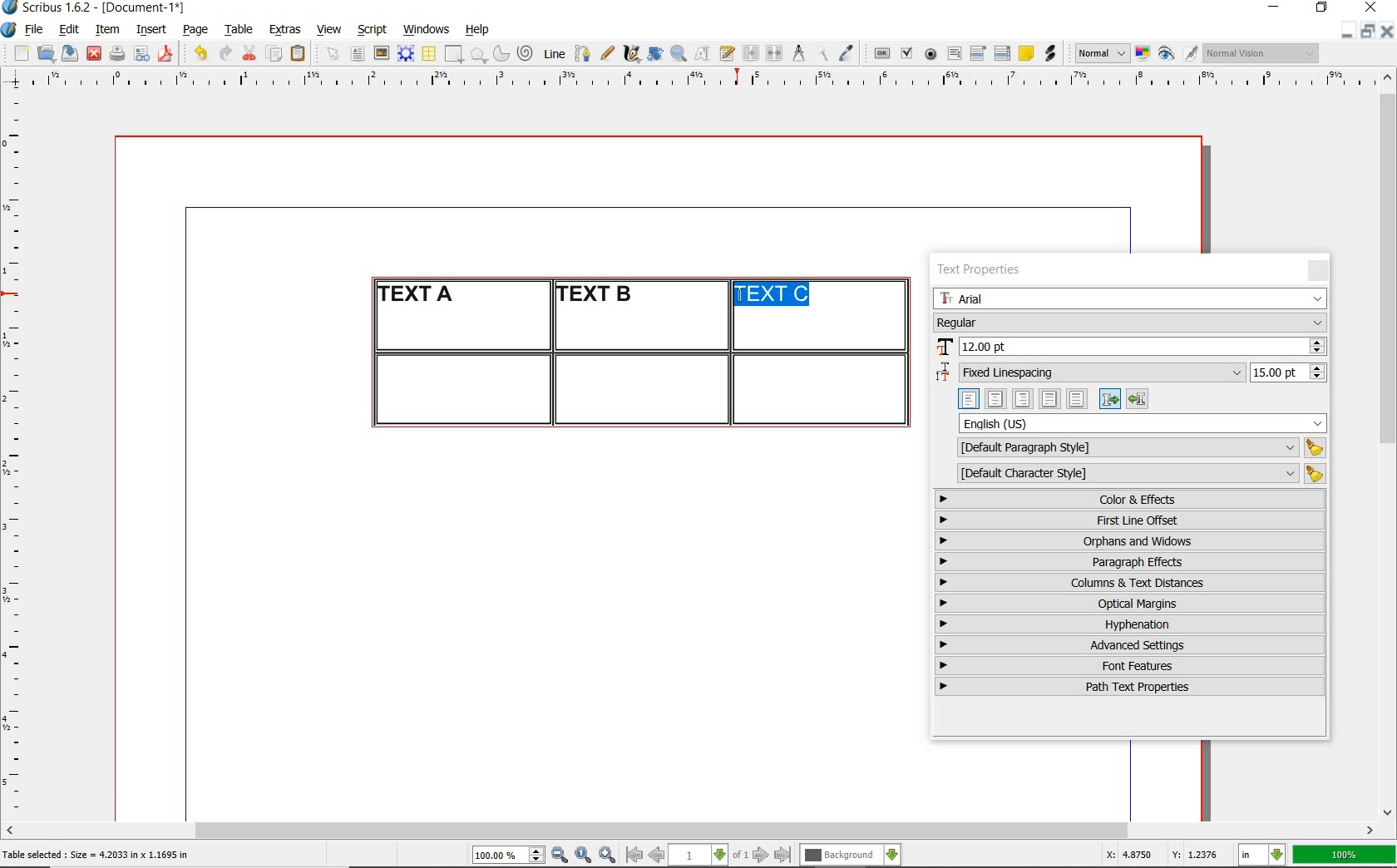  What do you see at coordinates (67, 53) in the screenshot?
I see `save` at bounding box center [67, 53].